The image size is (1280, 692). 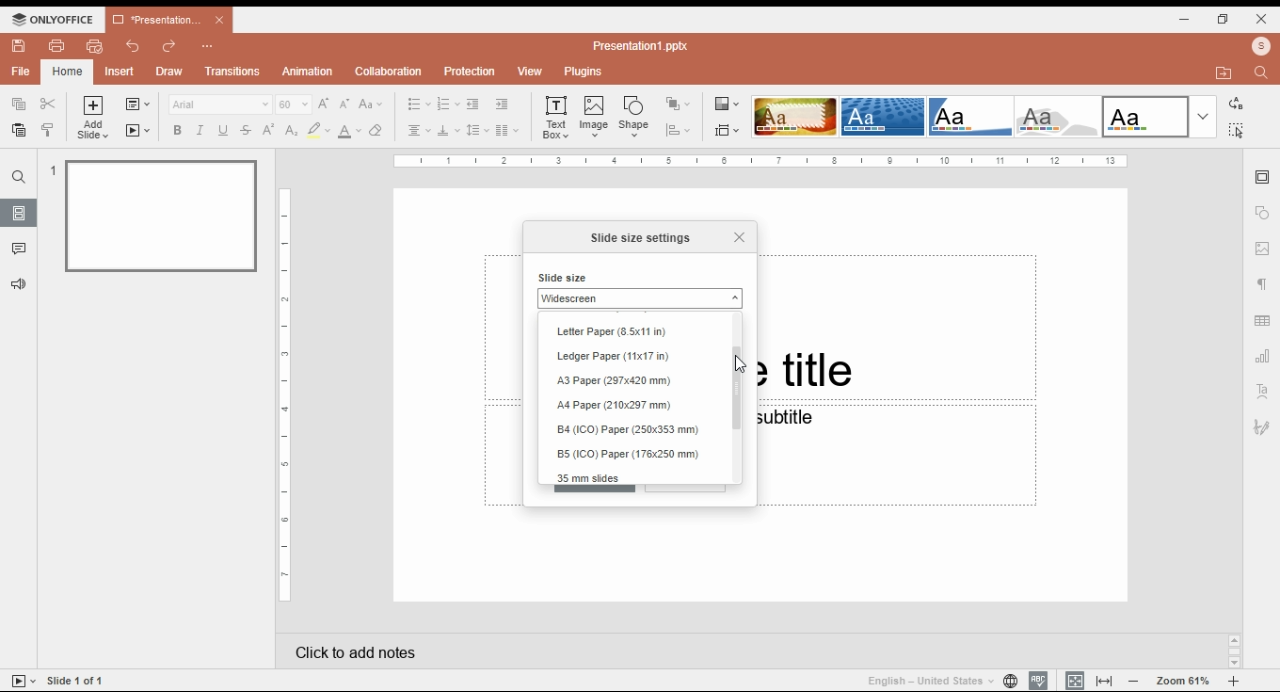 What do you see at coordinates (171, 71) in the screenshot?
I see `draw` at bounding box center [171, 71].